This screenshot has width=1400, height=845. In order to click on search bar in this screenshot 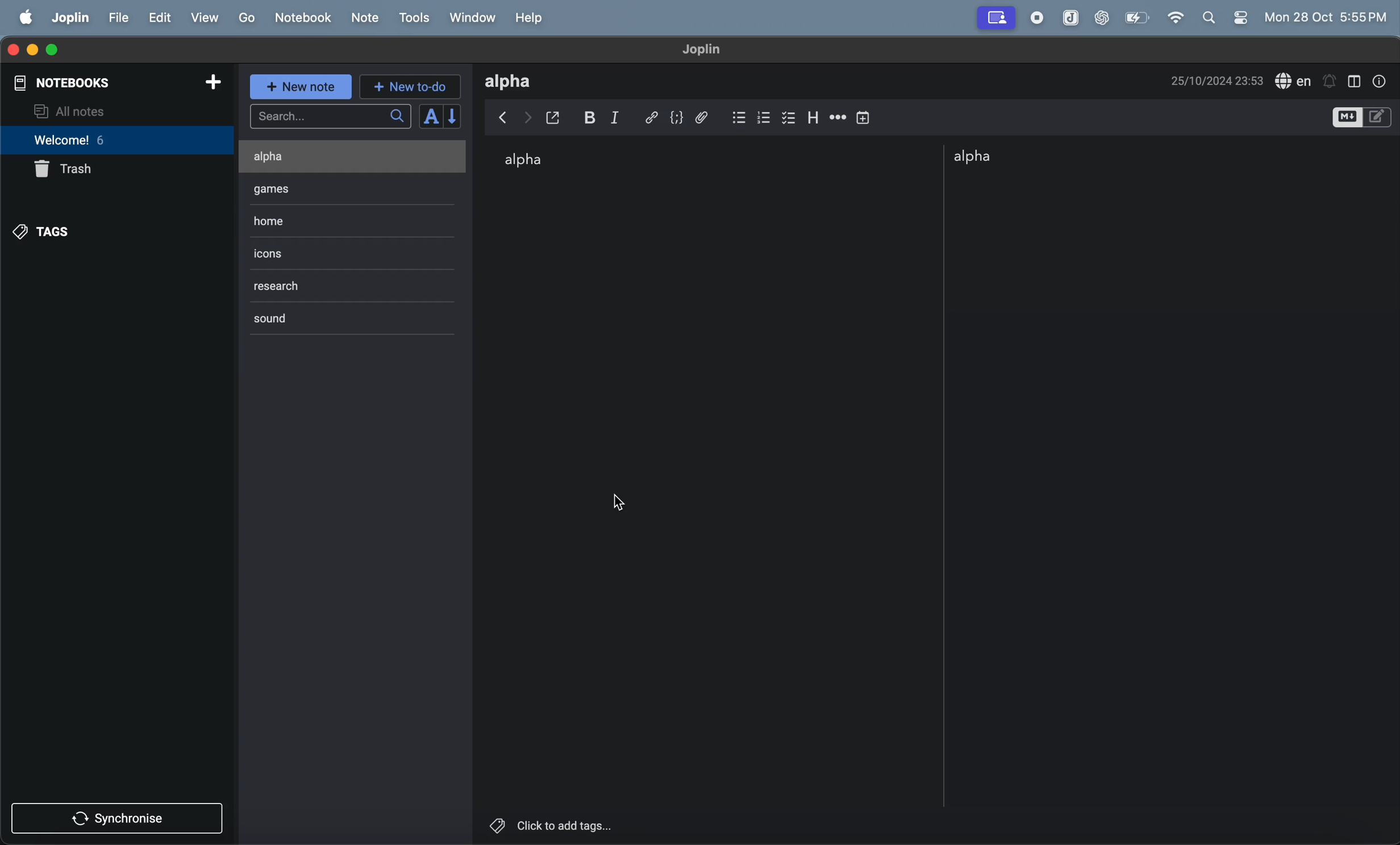, I will do `click(330, 117)`.